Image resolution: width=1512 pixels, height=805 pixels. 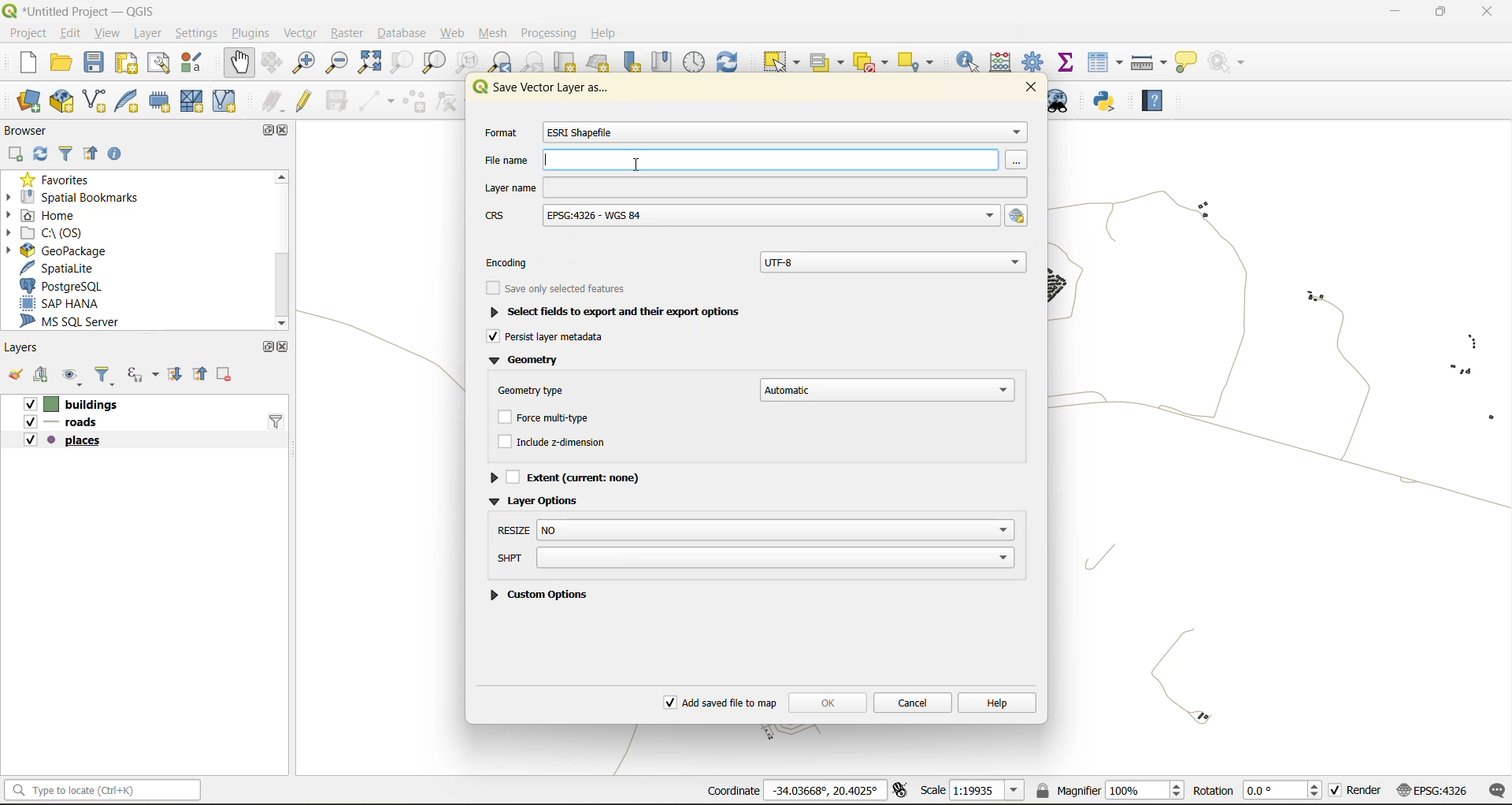 What do you see at coordinates (80, 322) in the screenshot?
I see `ms sql server` at bounding box center [80, 322].